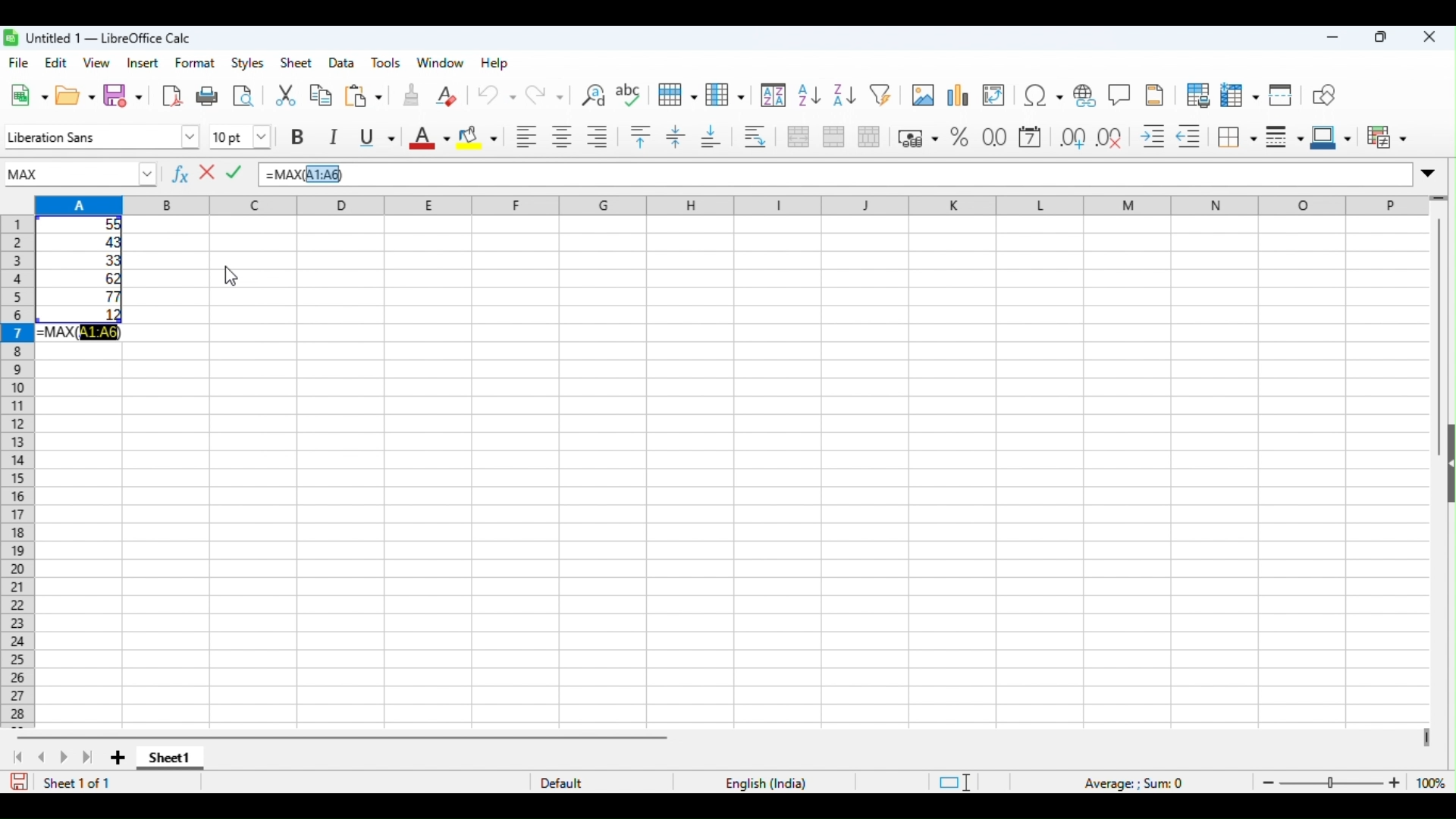  What do you see at coordinates (952, 782) in the screenshot?
I see `standard selection` at bounding box center [952, 782].